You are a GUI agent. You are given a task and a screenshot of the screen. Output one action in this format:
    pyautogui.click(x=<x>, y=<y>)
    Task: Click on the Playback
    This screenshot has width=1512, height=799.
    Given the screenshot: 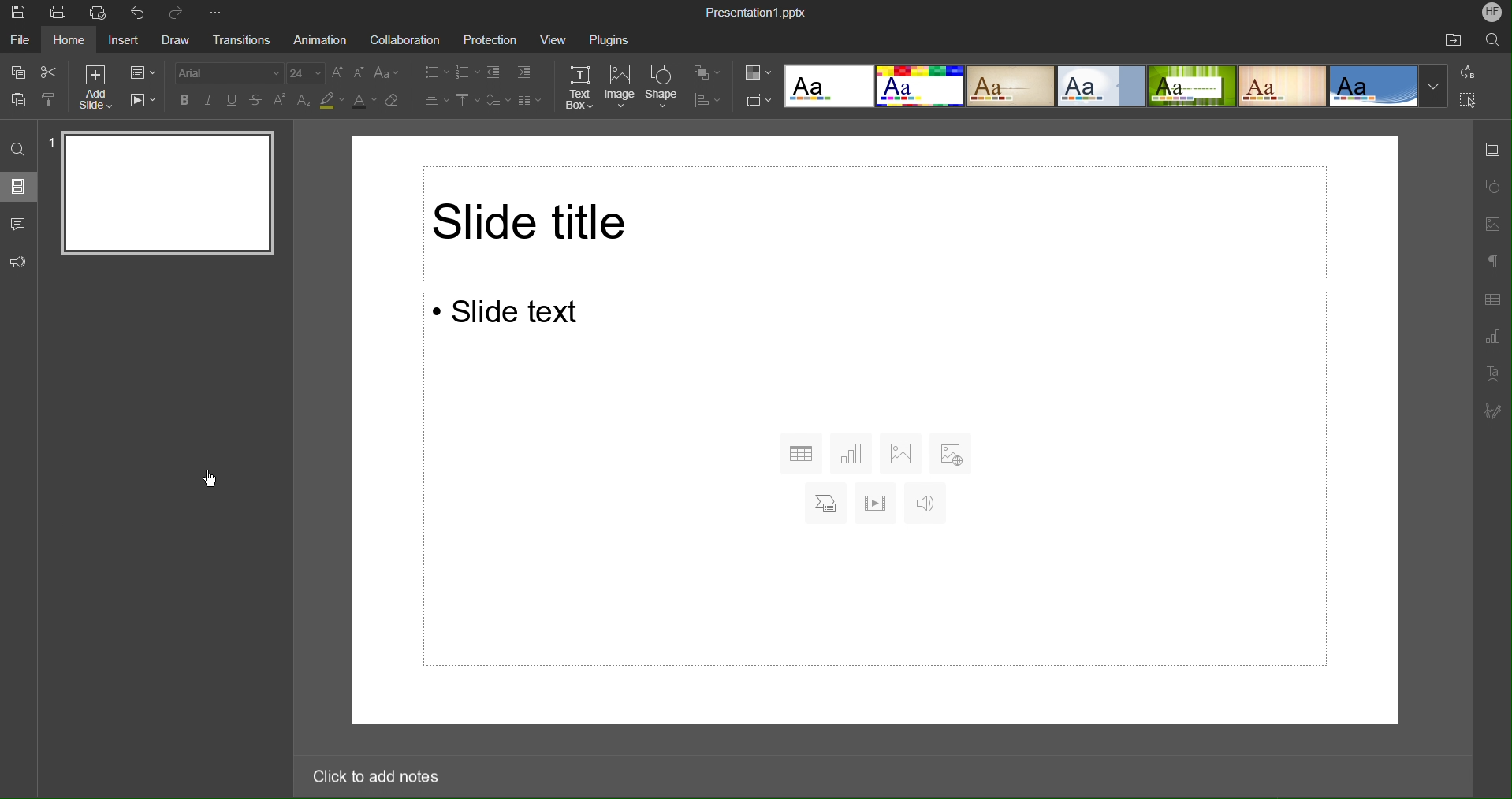 What is the action you would take?
    pyautogui.click(x=142, y=98)
    